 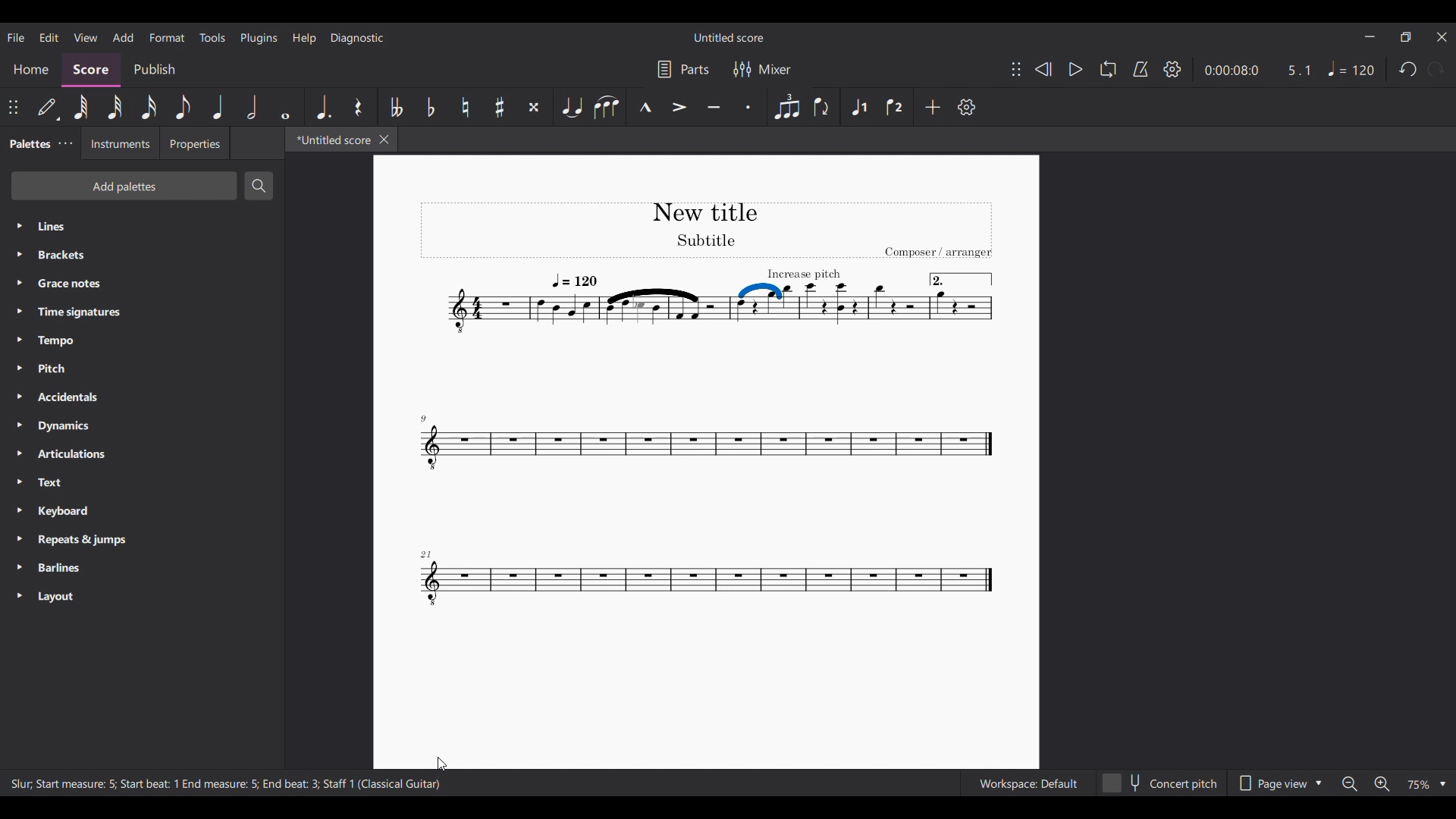 I want to click on Play, so click(x=1069, y=69).